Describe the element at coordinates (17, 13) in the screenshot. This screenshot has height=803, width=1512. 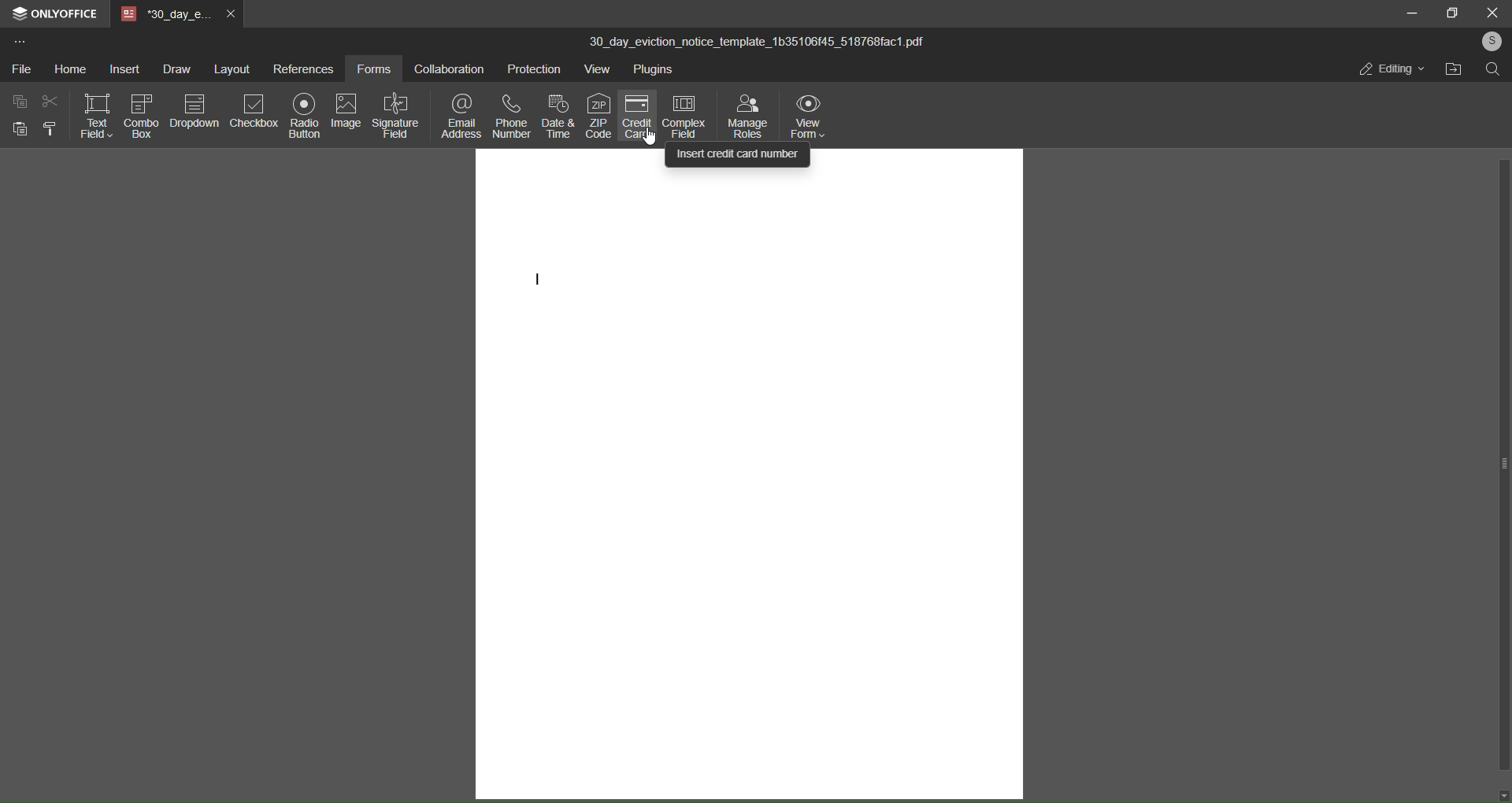
I see `logo` at that location.